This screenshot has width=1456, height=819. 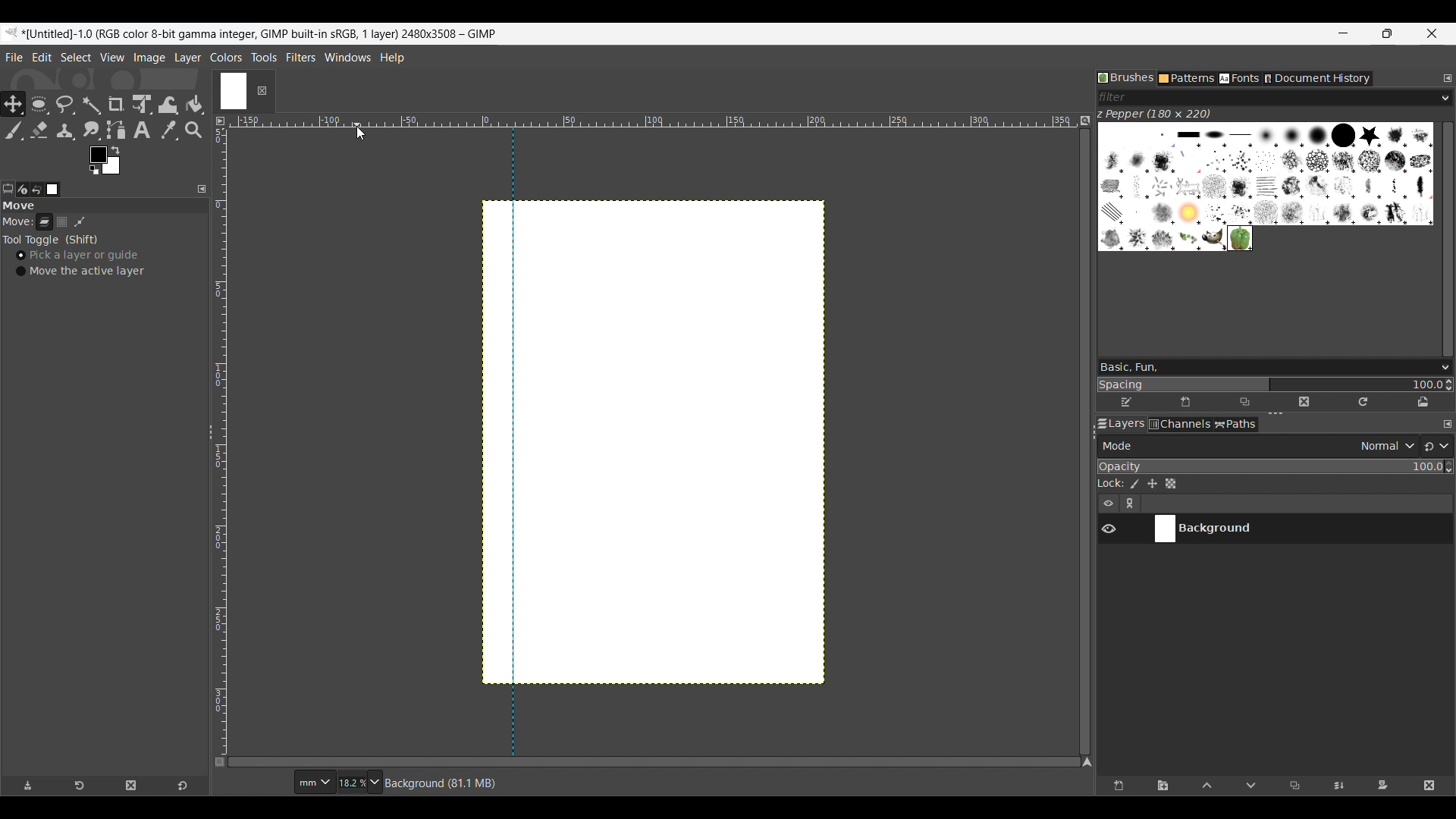 I want to click on Patterns tab, so click(x=1187, y=79).